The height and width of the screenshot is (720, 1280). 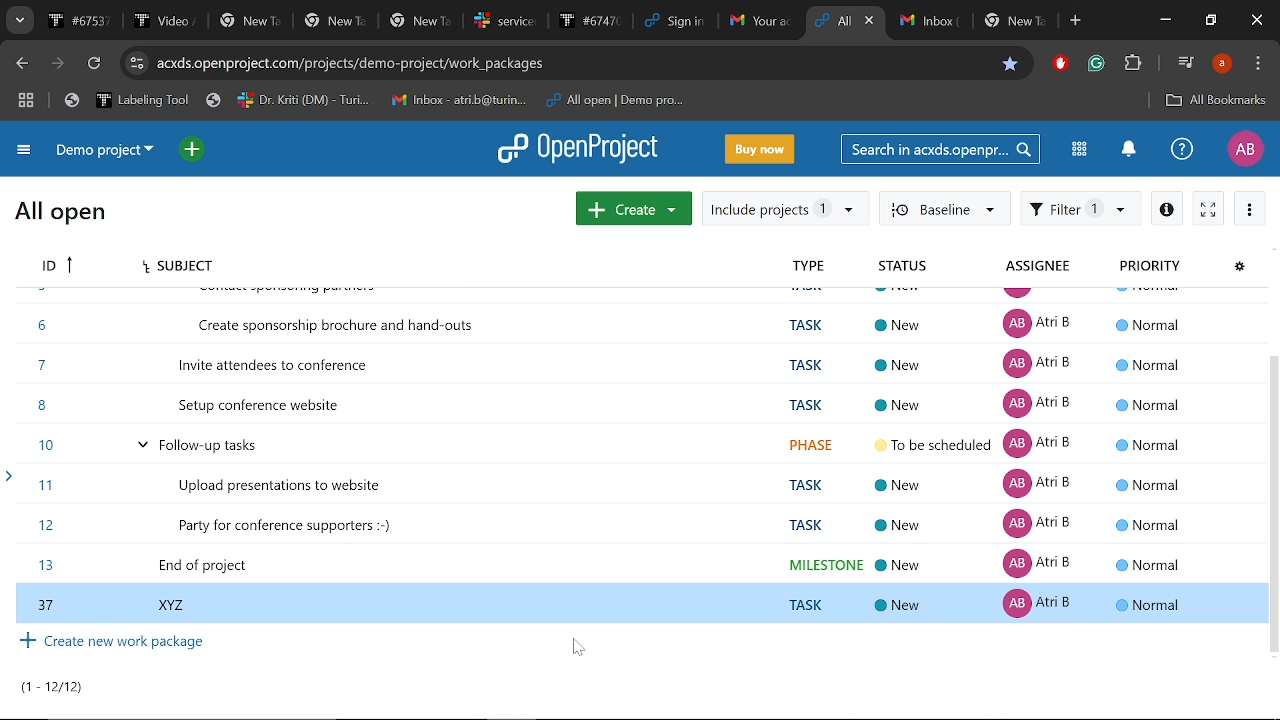 I want to click on Create, so click(x=634, y=208).